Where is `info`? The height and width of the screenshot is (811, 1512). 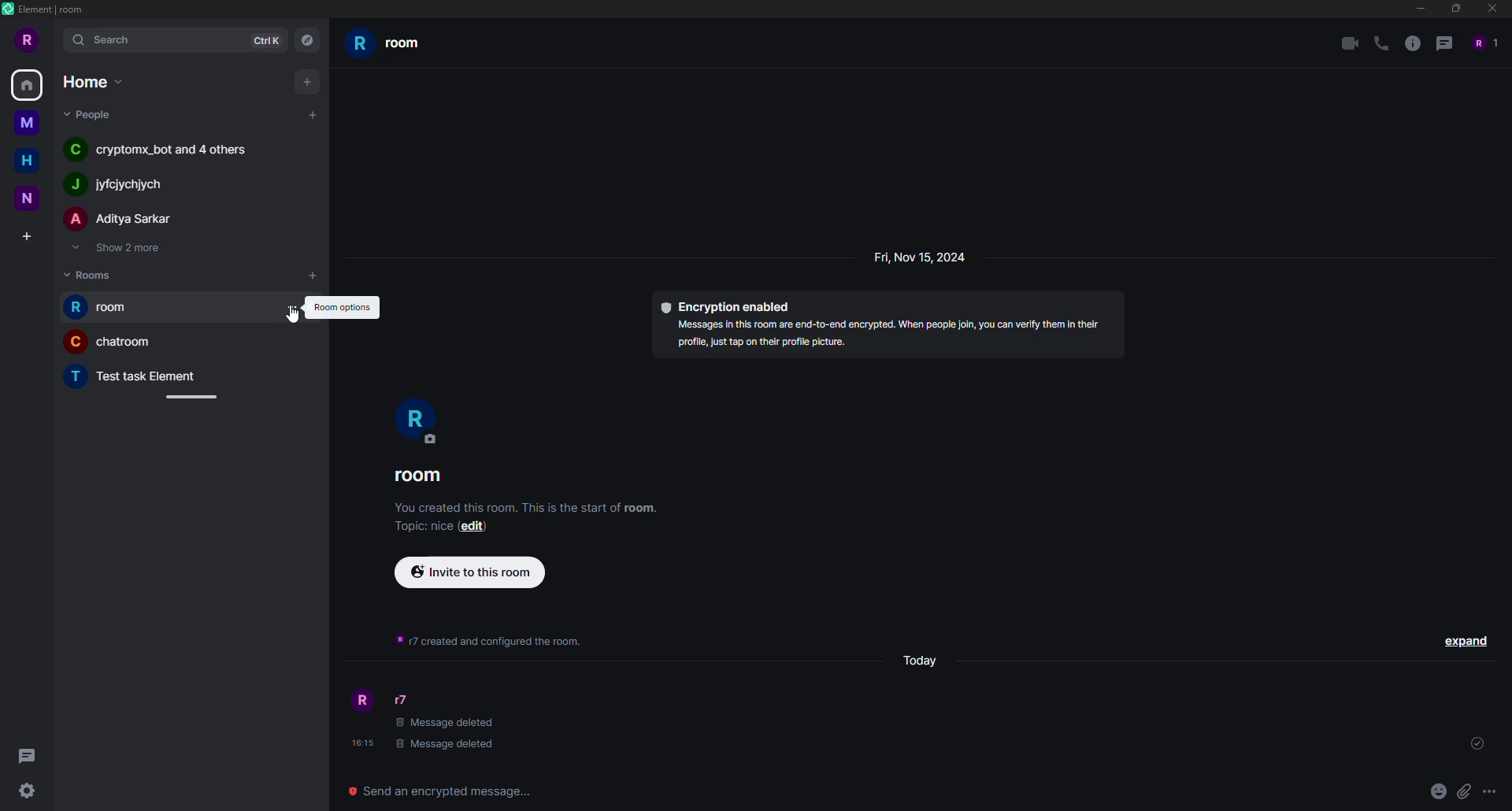 info is located at coordinates (1412, 44).